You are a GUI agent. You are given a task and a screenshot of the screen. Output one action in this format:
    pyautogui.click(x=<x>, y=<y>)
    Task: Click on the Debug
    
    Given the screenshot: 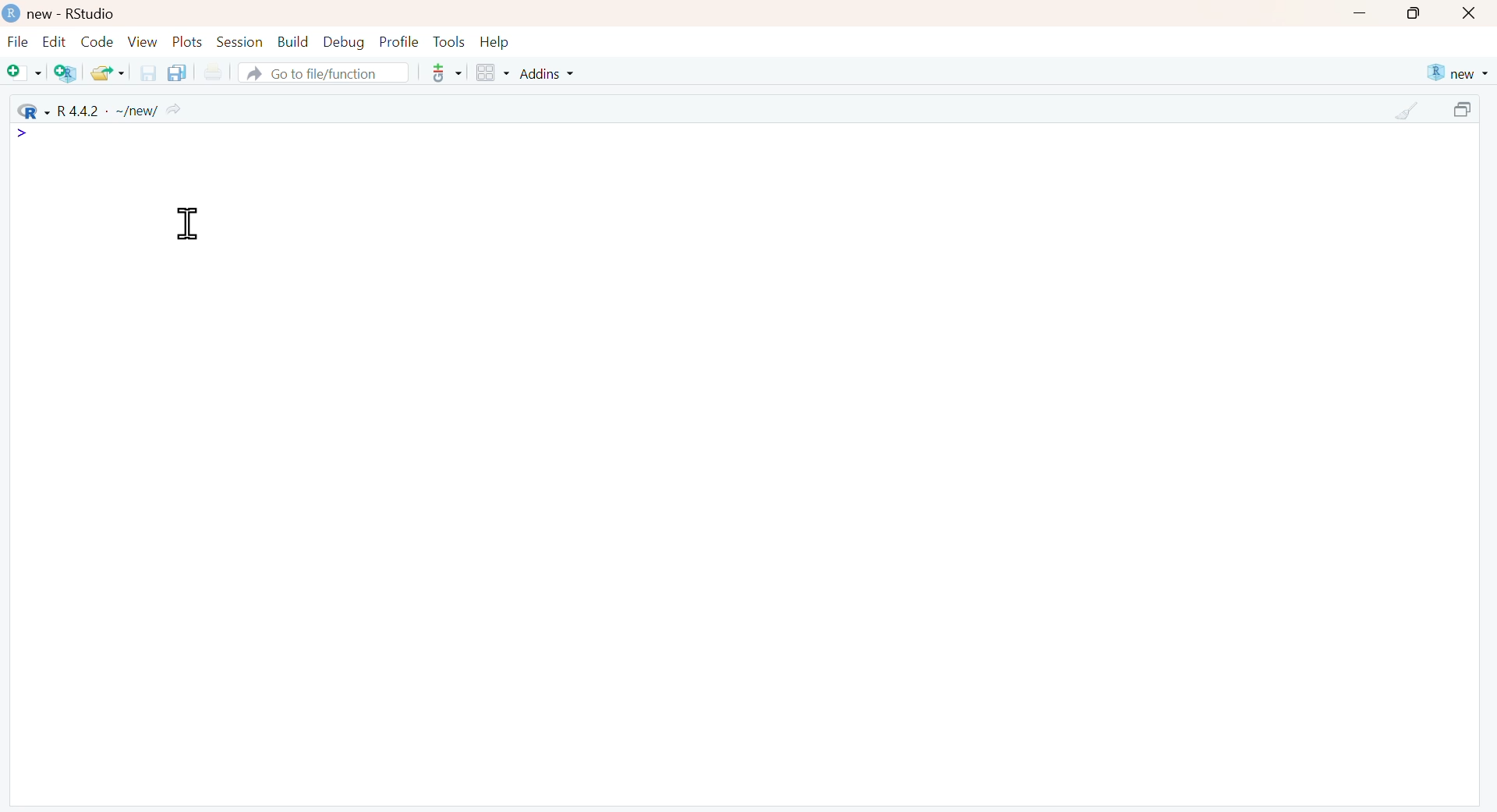 What is the action you would take?
    pyautogui.click(x=345, y=44)
    